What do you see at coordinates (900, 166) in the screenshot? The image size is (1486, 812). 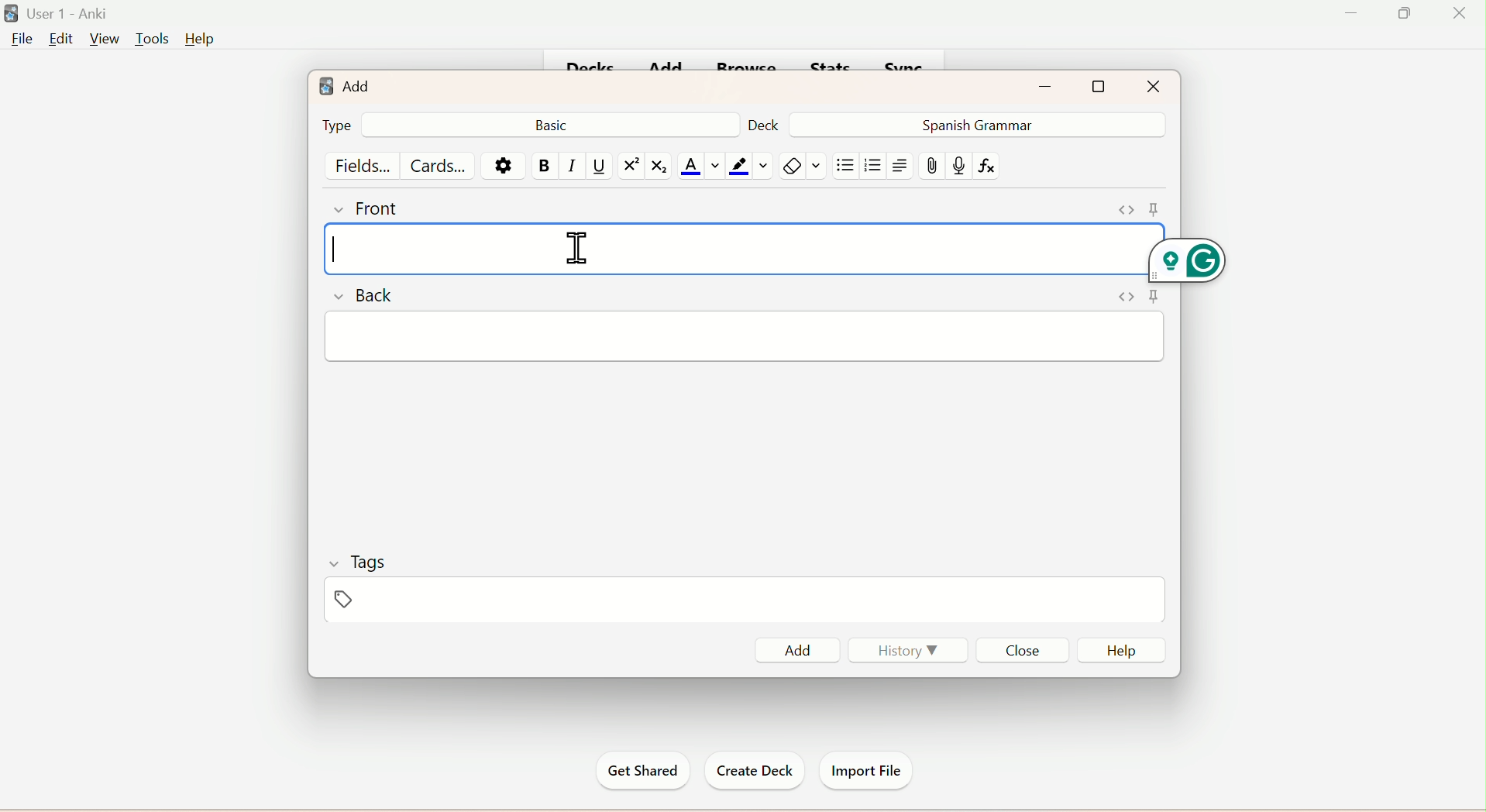 I see `Text Alignment` at bounding box center [900, 166].